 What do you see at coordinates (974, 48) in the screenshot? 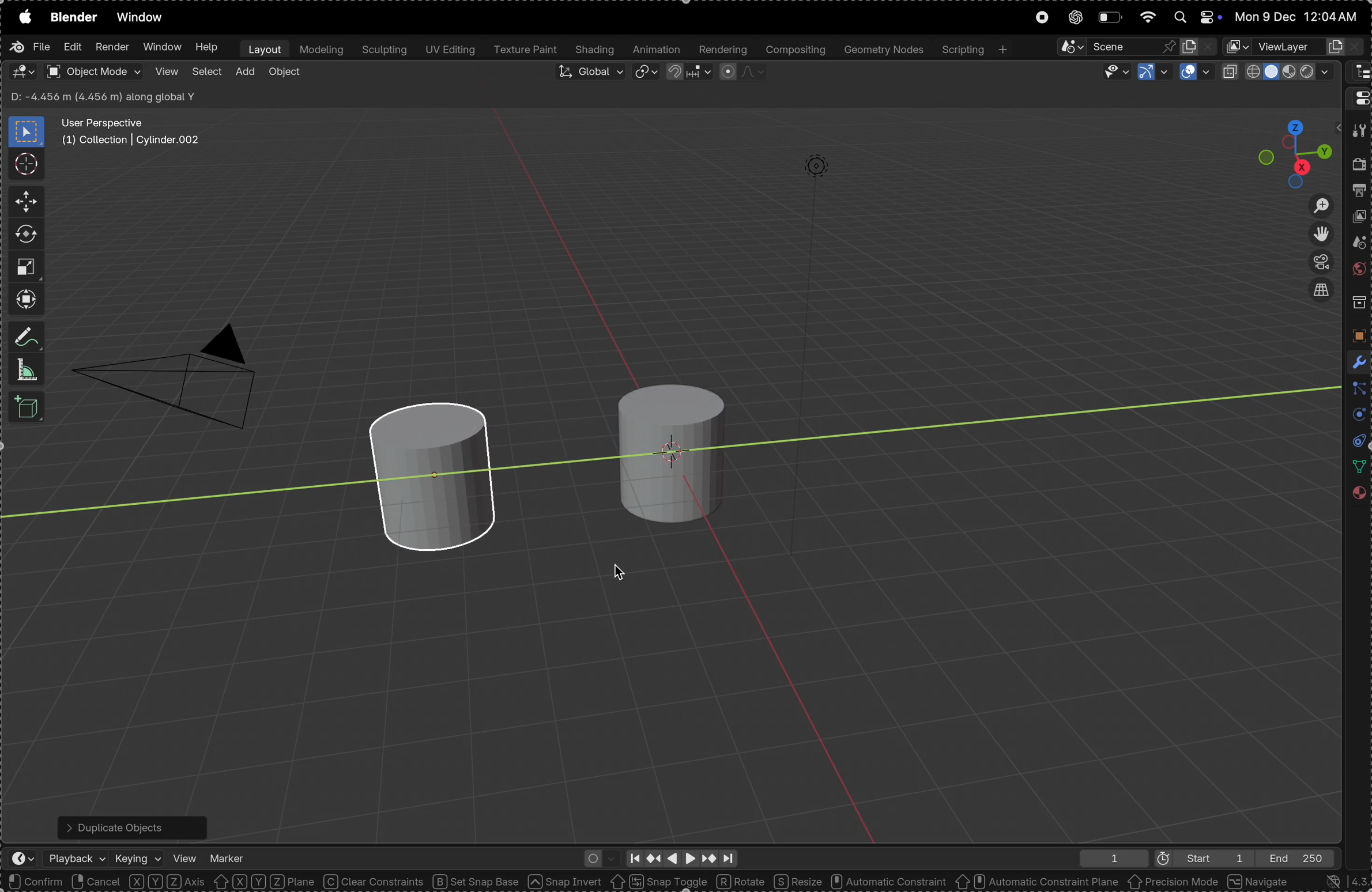
I see `scripting +` at bounding box center [974, 48].